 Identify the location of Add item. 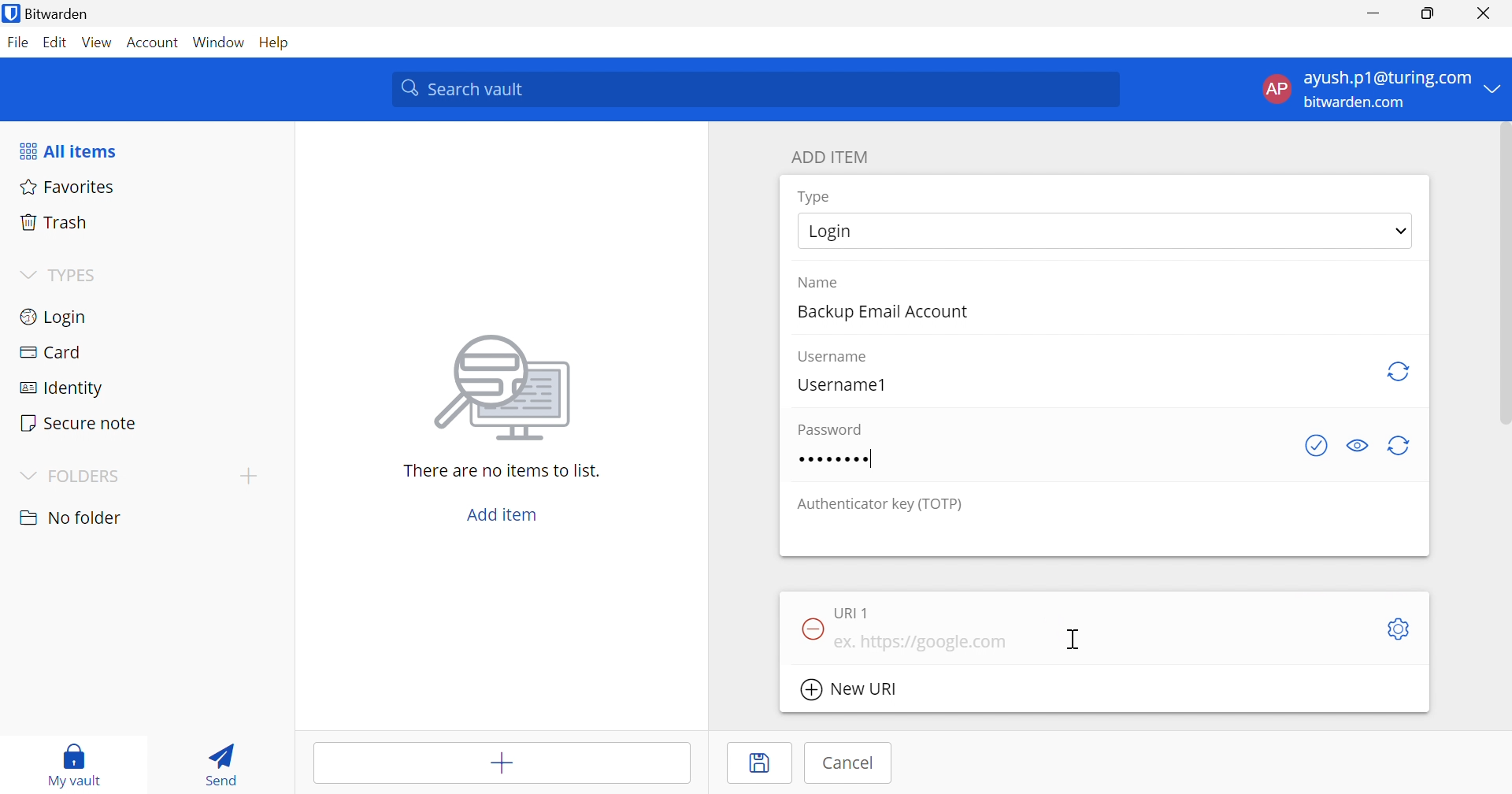
(500, 760).